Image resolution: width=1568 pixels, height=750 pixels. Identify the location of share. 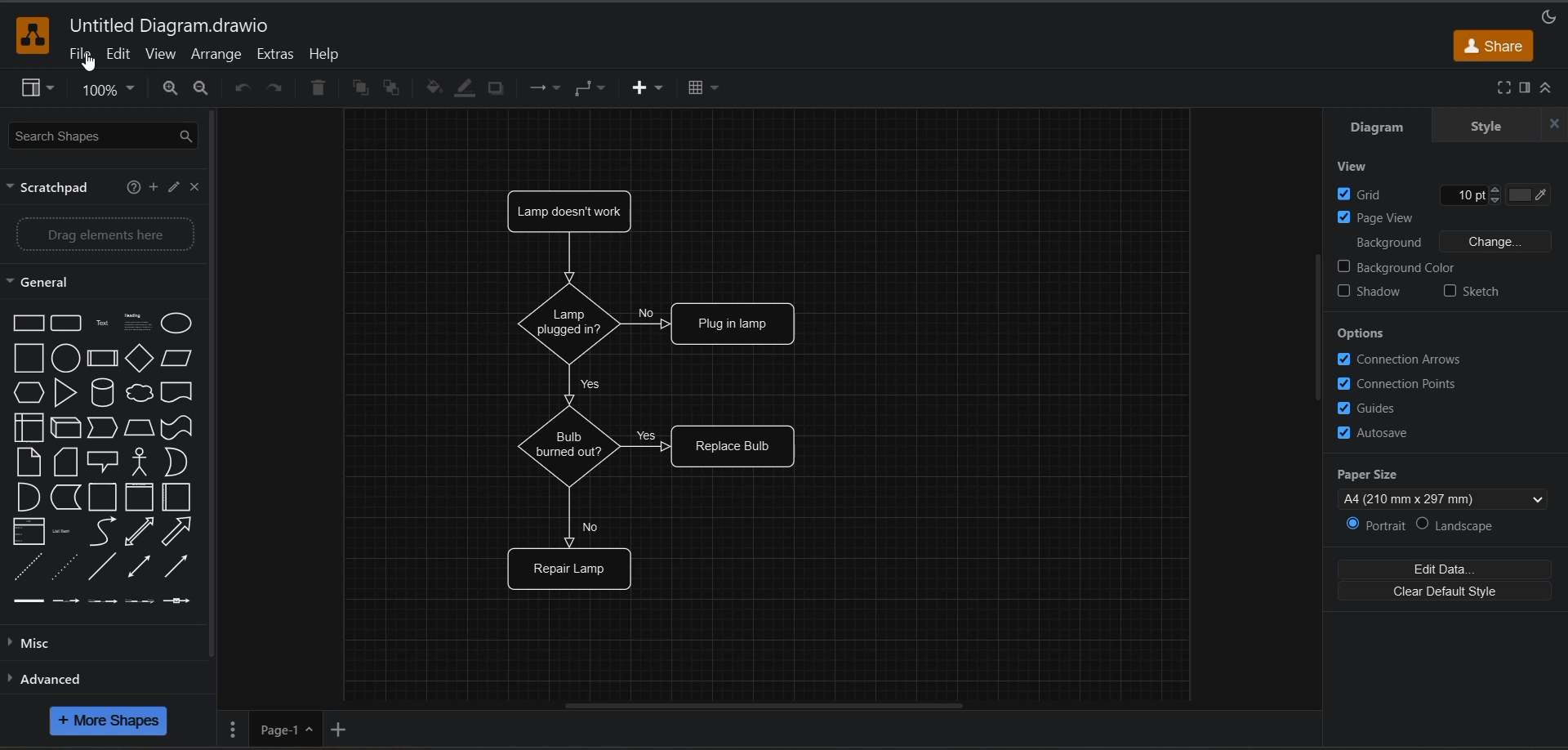
(1492, 47).